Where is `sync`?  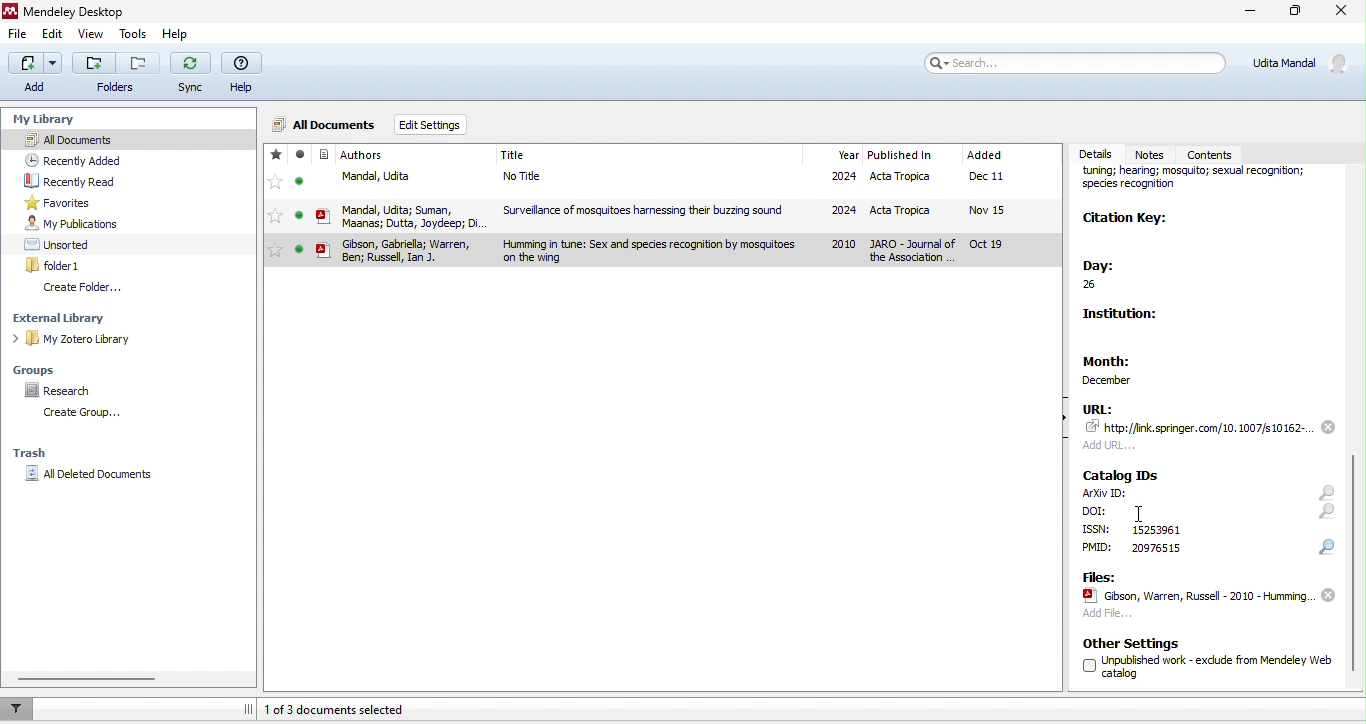
sync is located at coordinates (192, 75).